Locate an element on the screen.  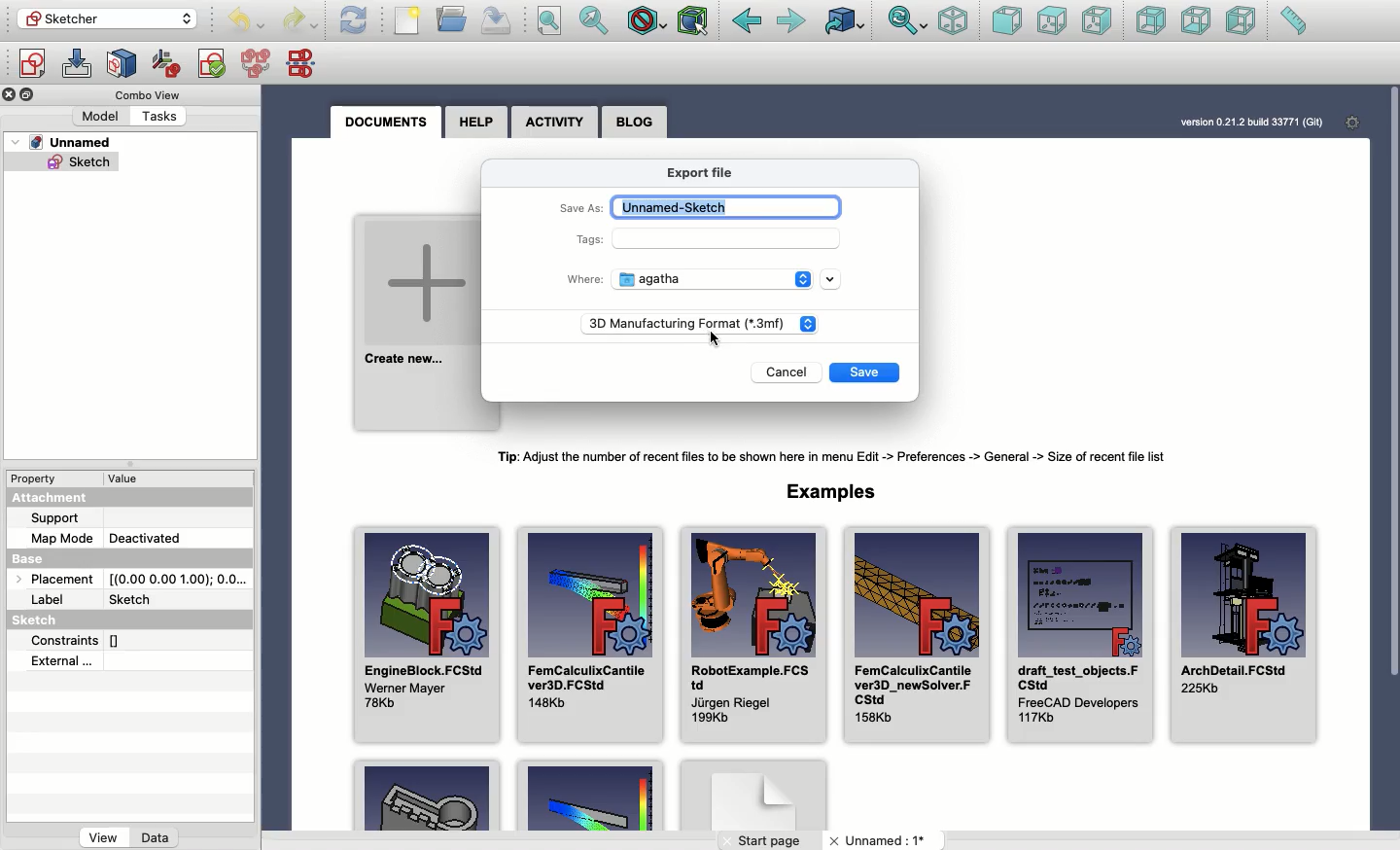
Save as is located at coordinates (581, 210).